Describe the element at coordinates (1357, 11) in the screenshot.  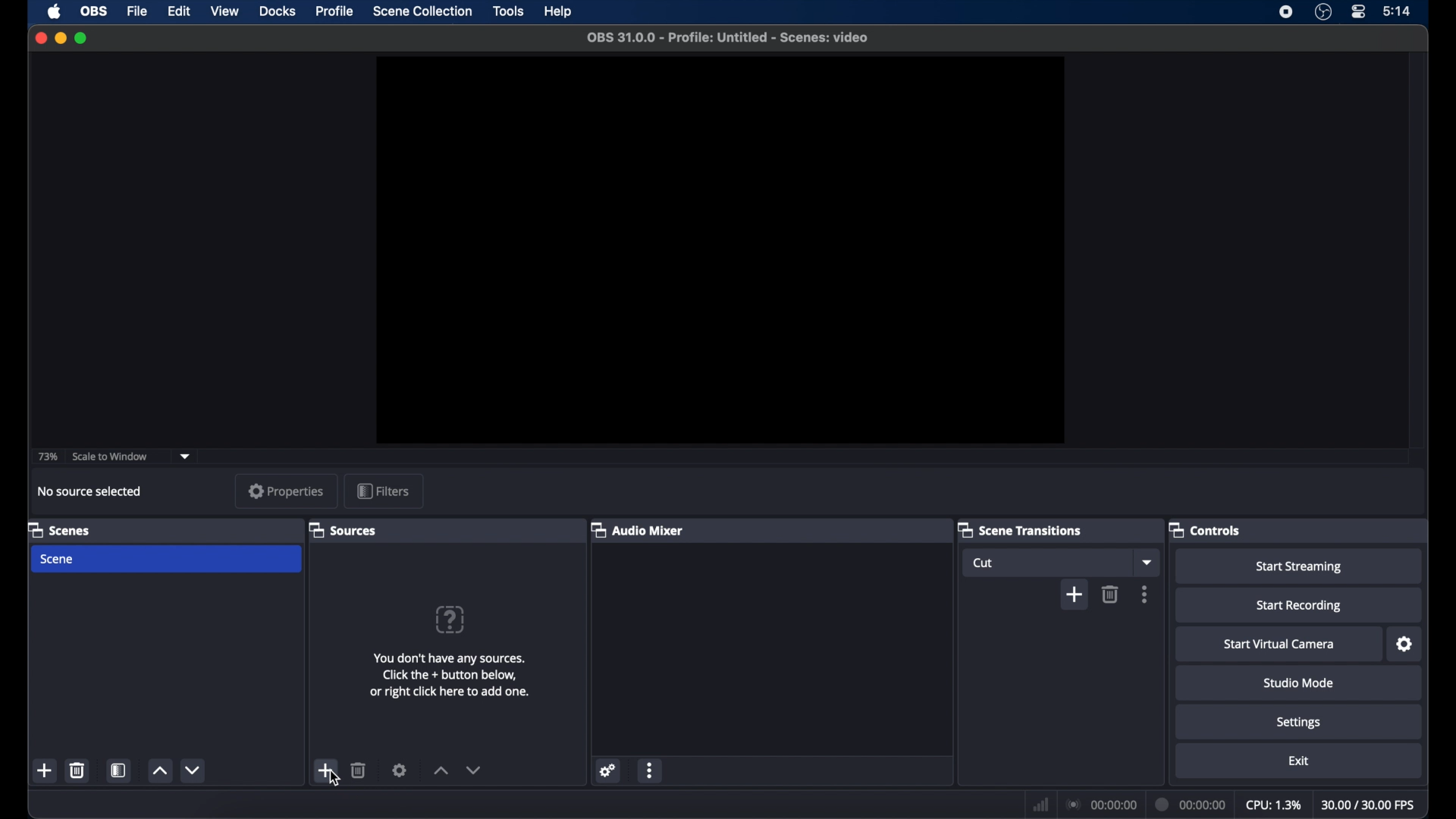
I see `control center` at that location.